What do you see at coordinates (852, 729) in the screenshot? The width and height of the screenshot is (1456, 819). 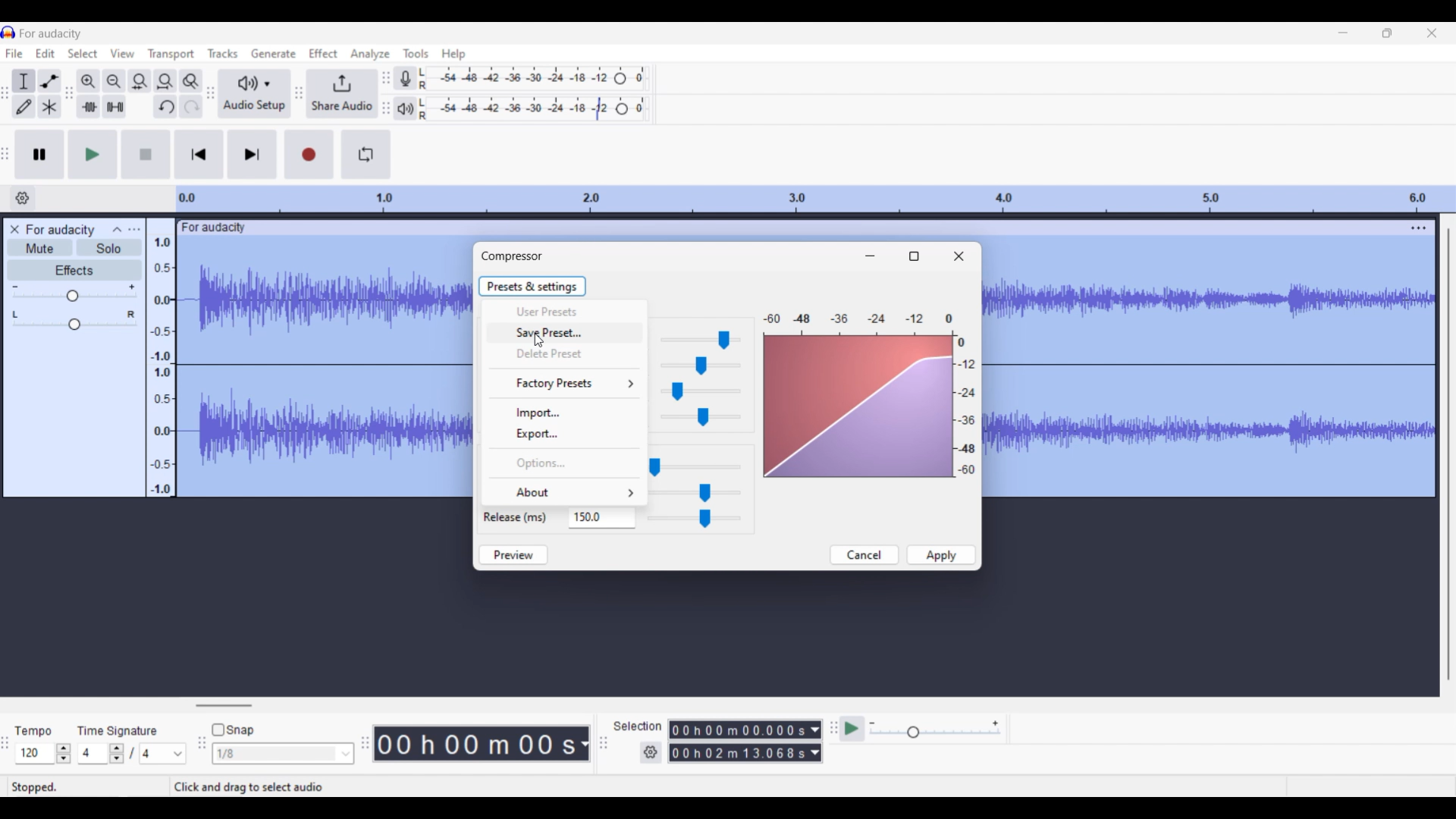 I see `Play at speed/Play at speed once` at bounding box center [852, 729].